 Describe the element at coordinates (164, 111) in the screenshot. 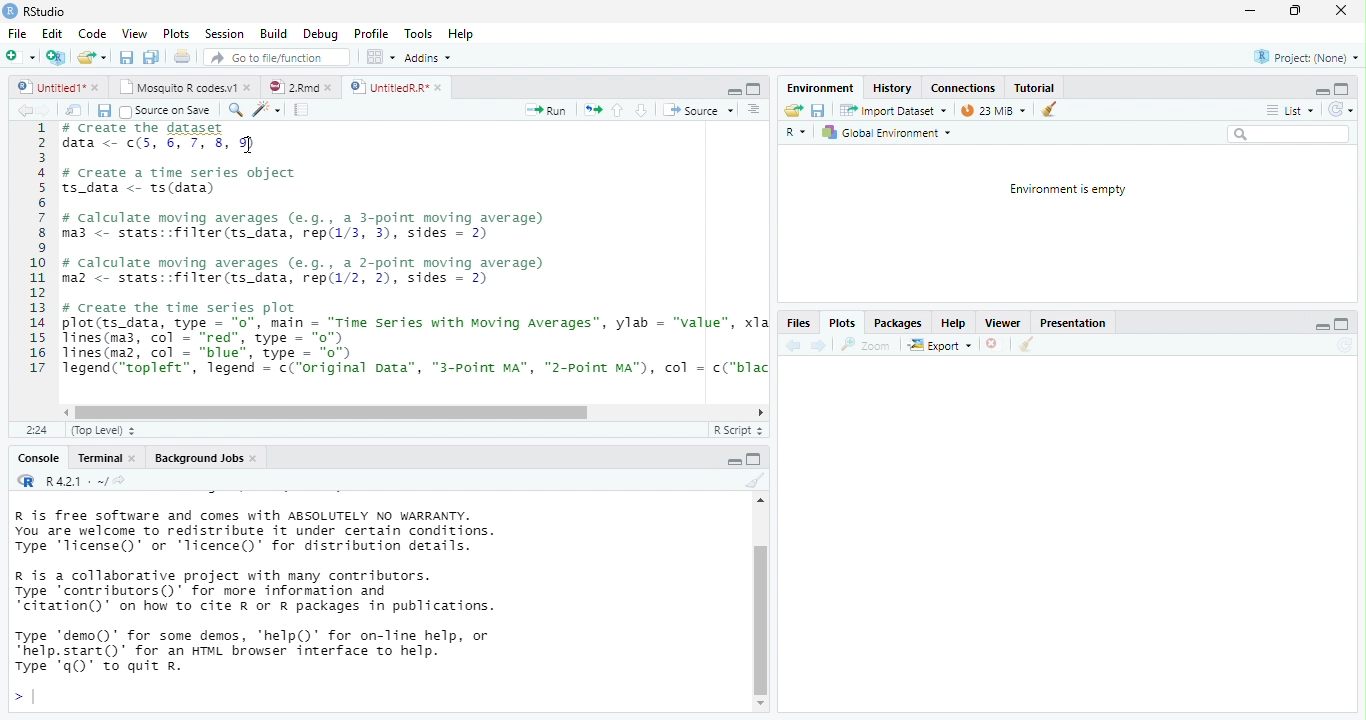

I see `Source on Save` at that location.